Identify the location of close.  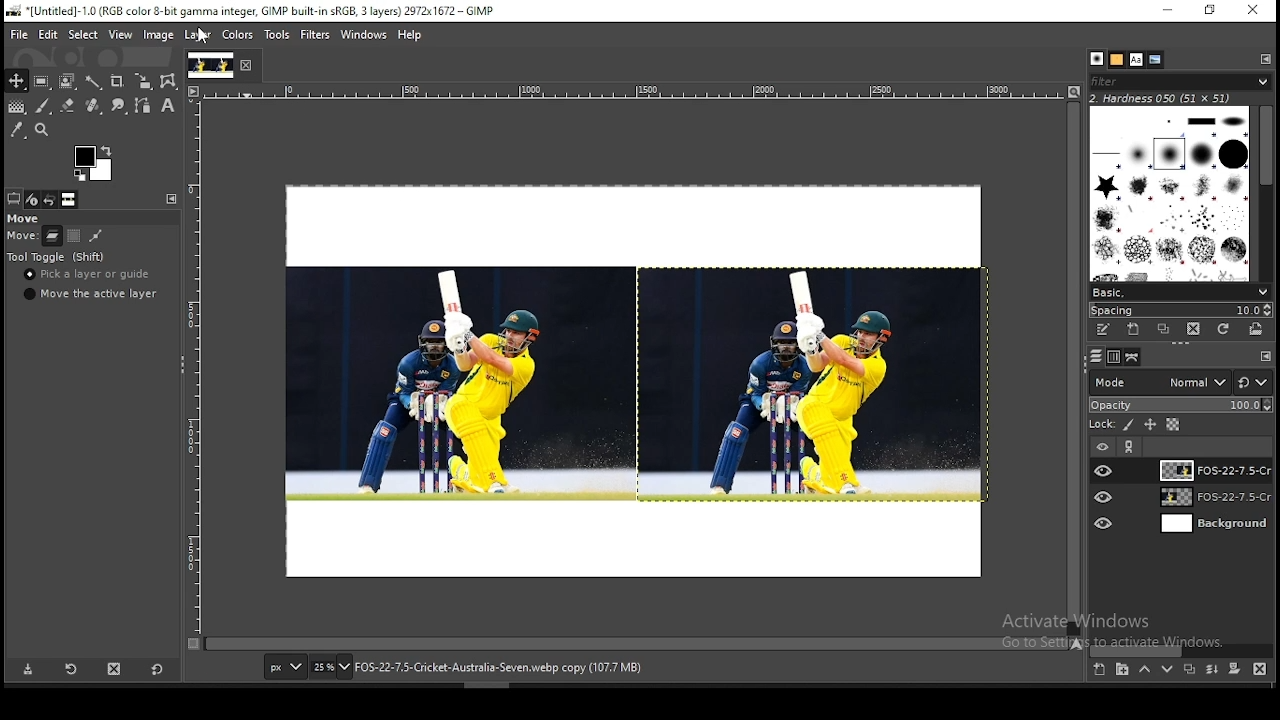
(1253, 10).